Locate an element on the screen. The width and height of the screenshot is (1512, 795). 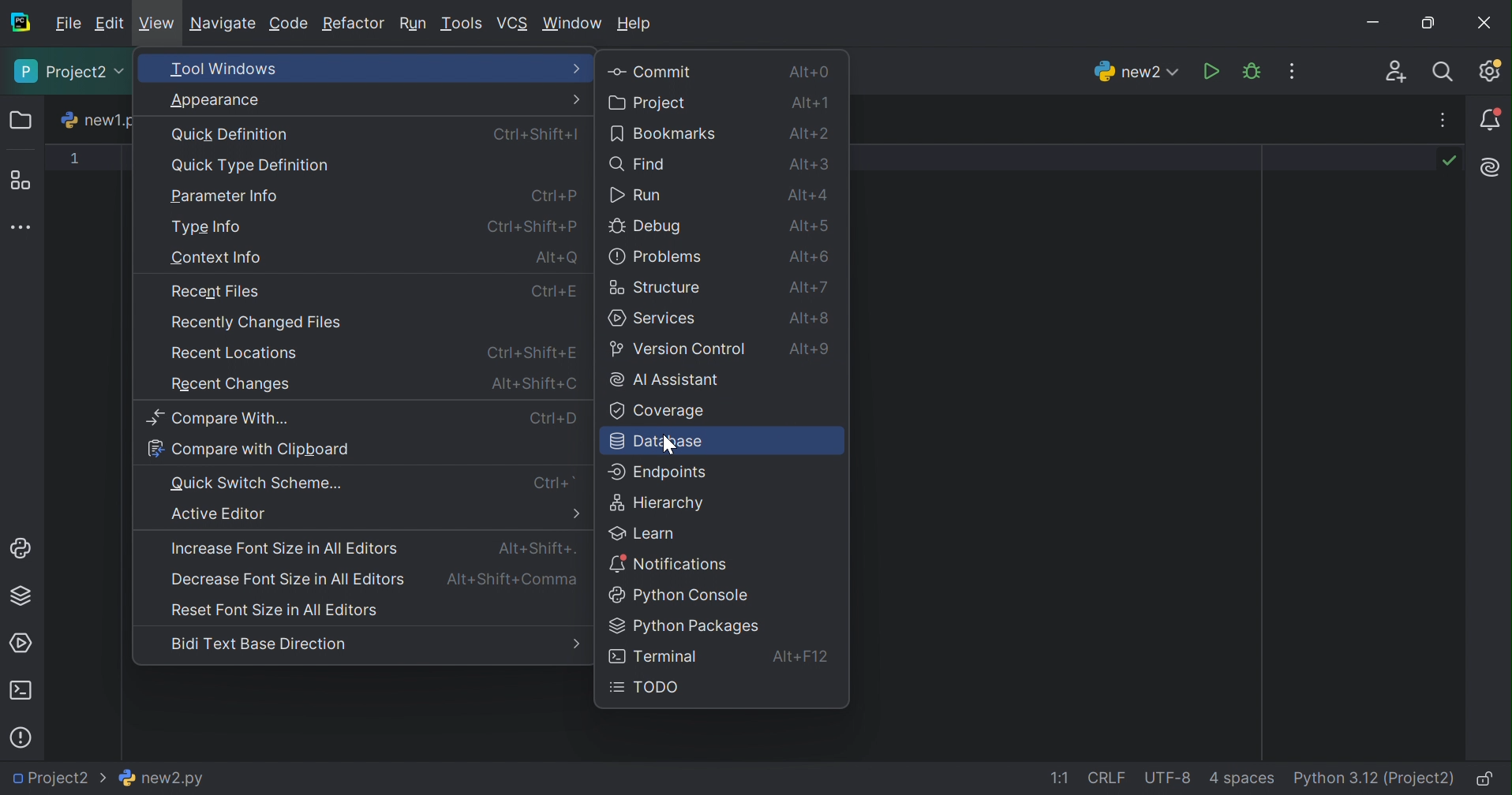
Services is located at coordinates (652, 318).